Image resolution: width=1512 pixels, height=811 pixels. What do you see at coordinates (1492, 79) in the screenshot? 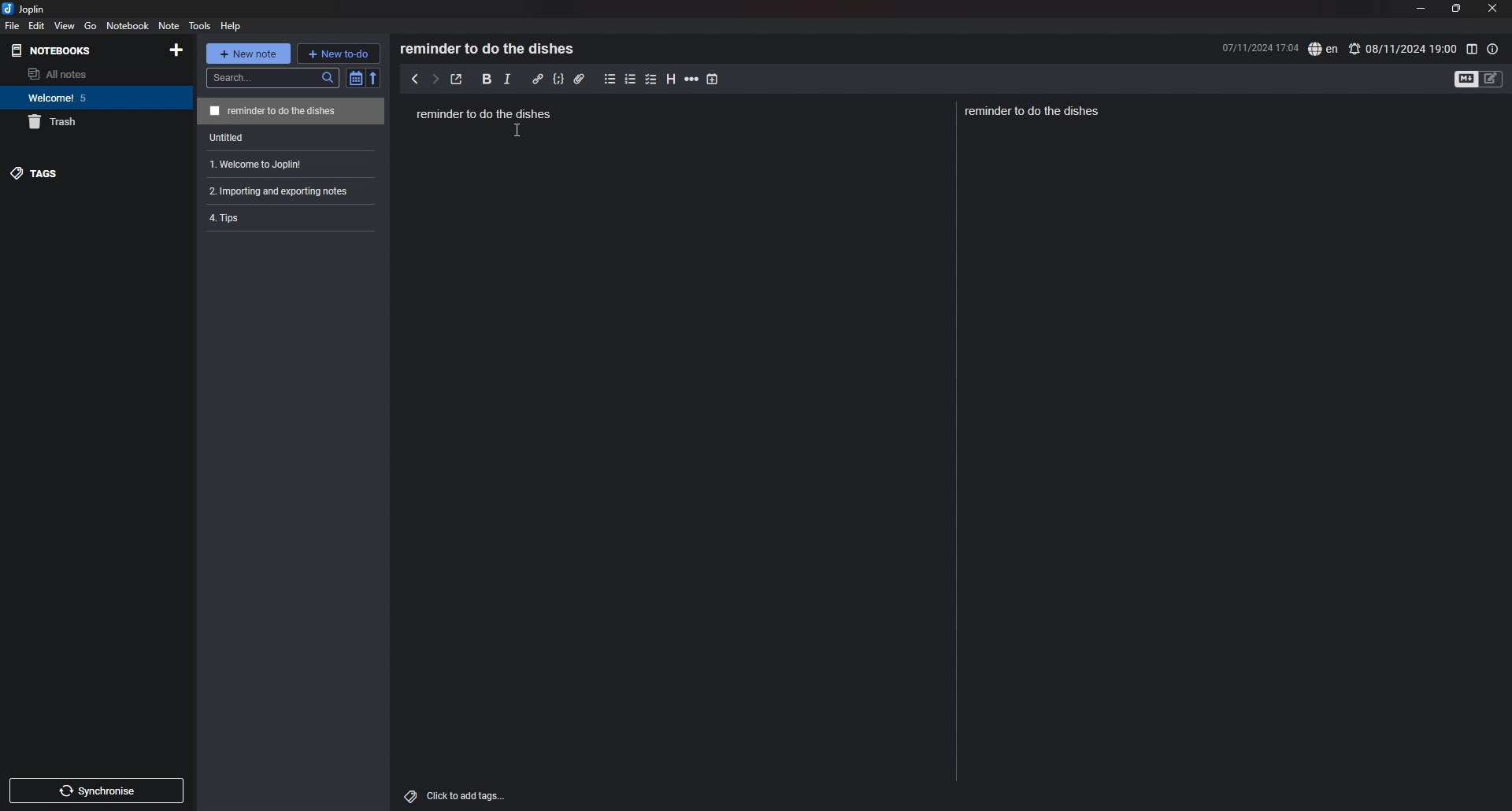
I see `toggle editors` at bounding box center [1492, 79].